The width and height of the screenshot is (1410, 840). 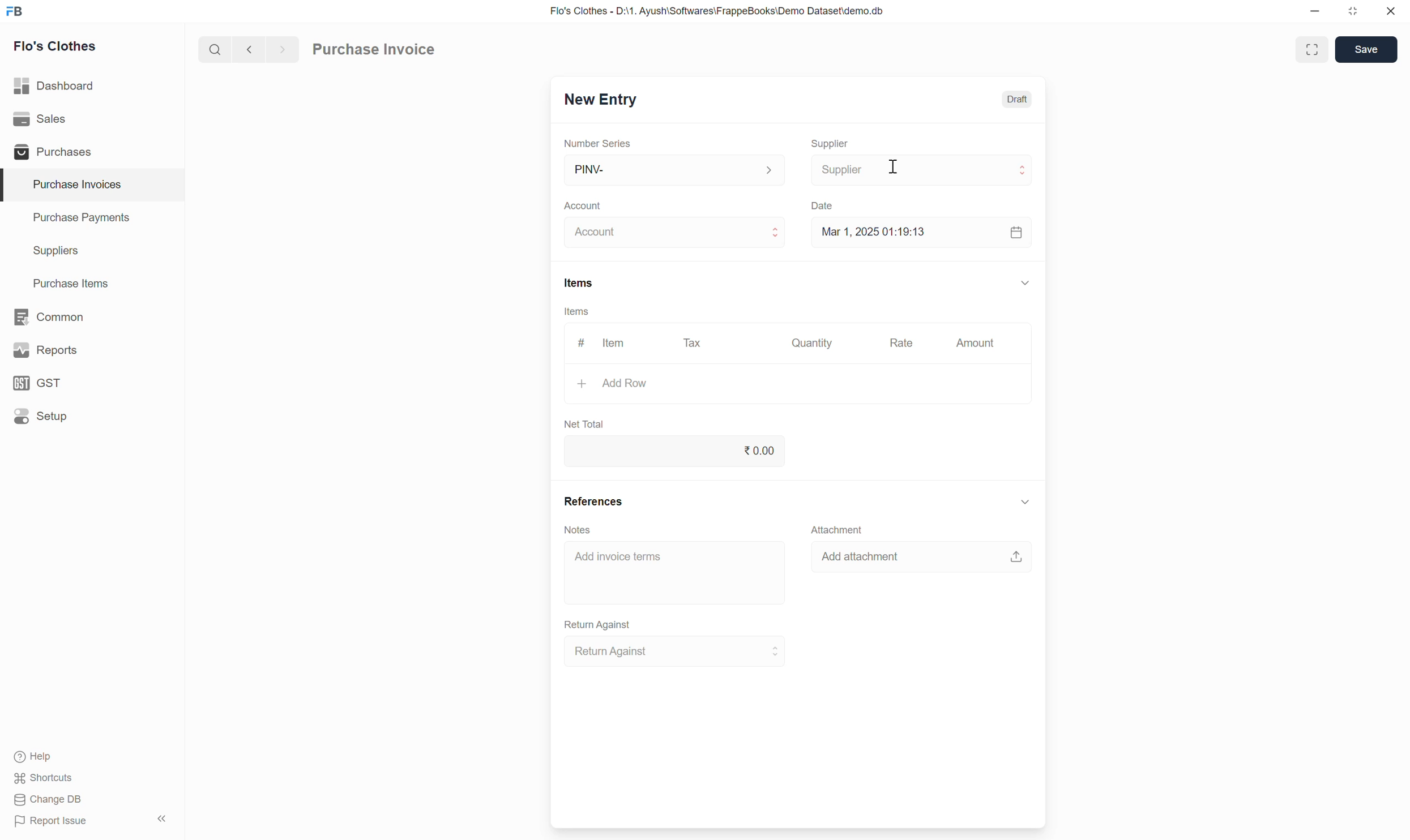 What do you see at coordinates (48, 800) in the screenshot?
I see `Change DB` at bounding box center [48, 800].